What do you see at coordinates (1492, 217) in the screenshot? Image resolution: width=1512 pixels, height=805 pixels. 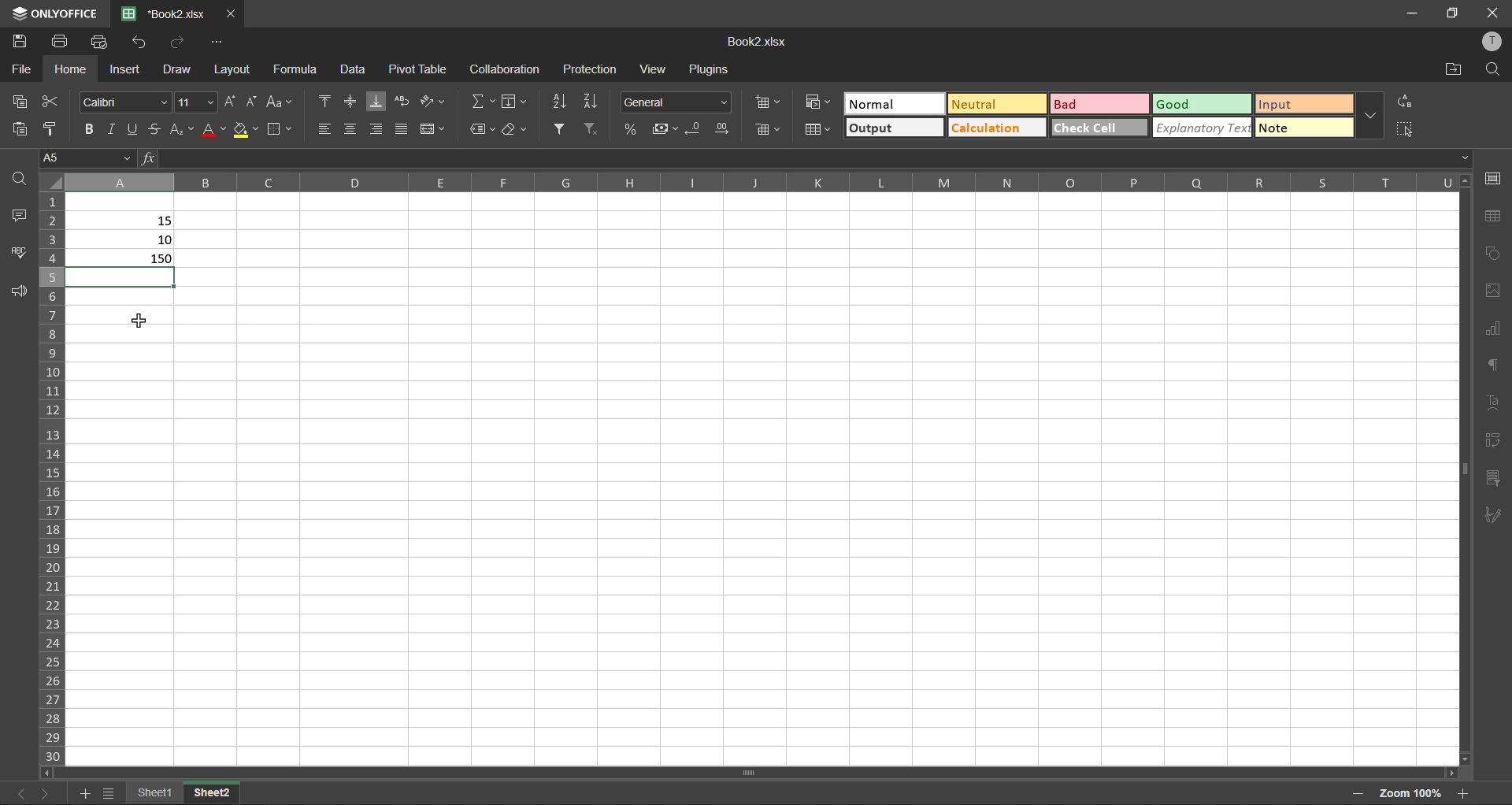 I see `table` at bounding box center [1492, 217].